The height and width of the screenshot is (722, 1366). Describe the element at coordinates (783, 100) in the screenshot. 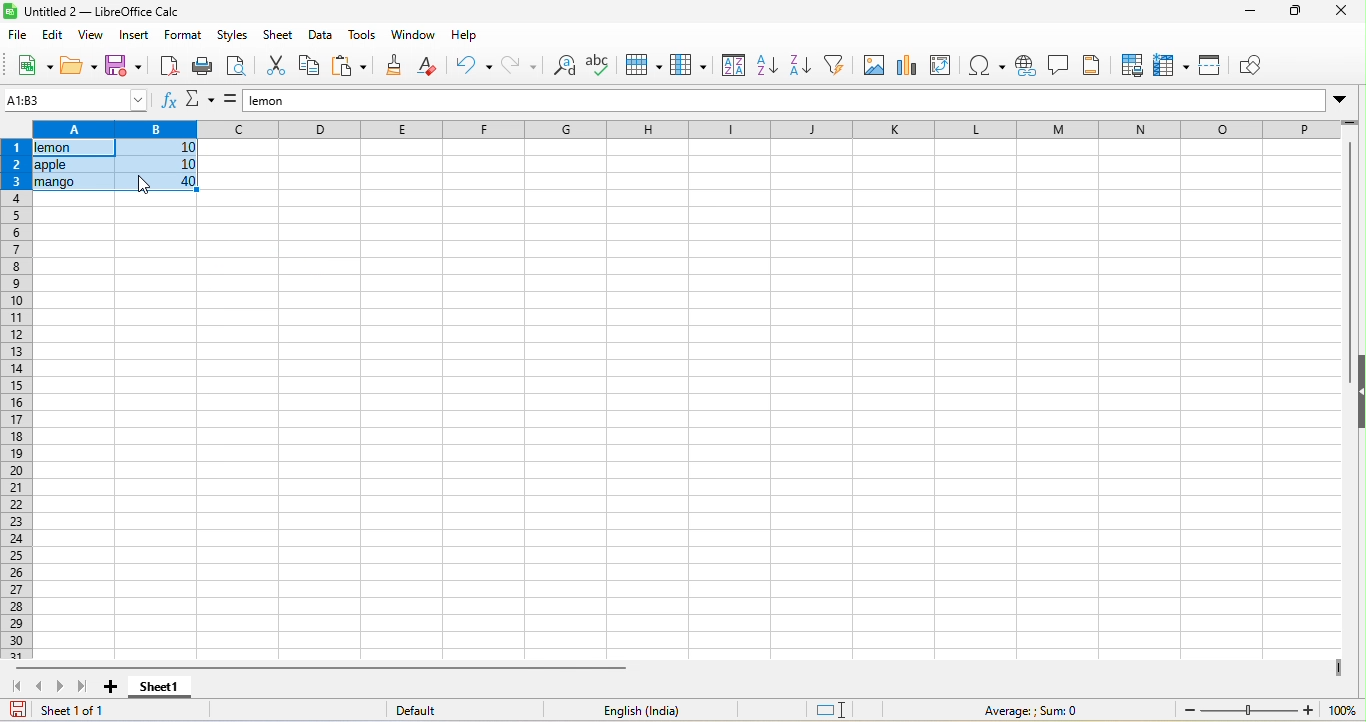

I see `lemon` at that location.